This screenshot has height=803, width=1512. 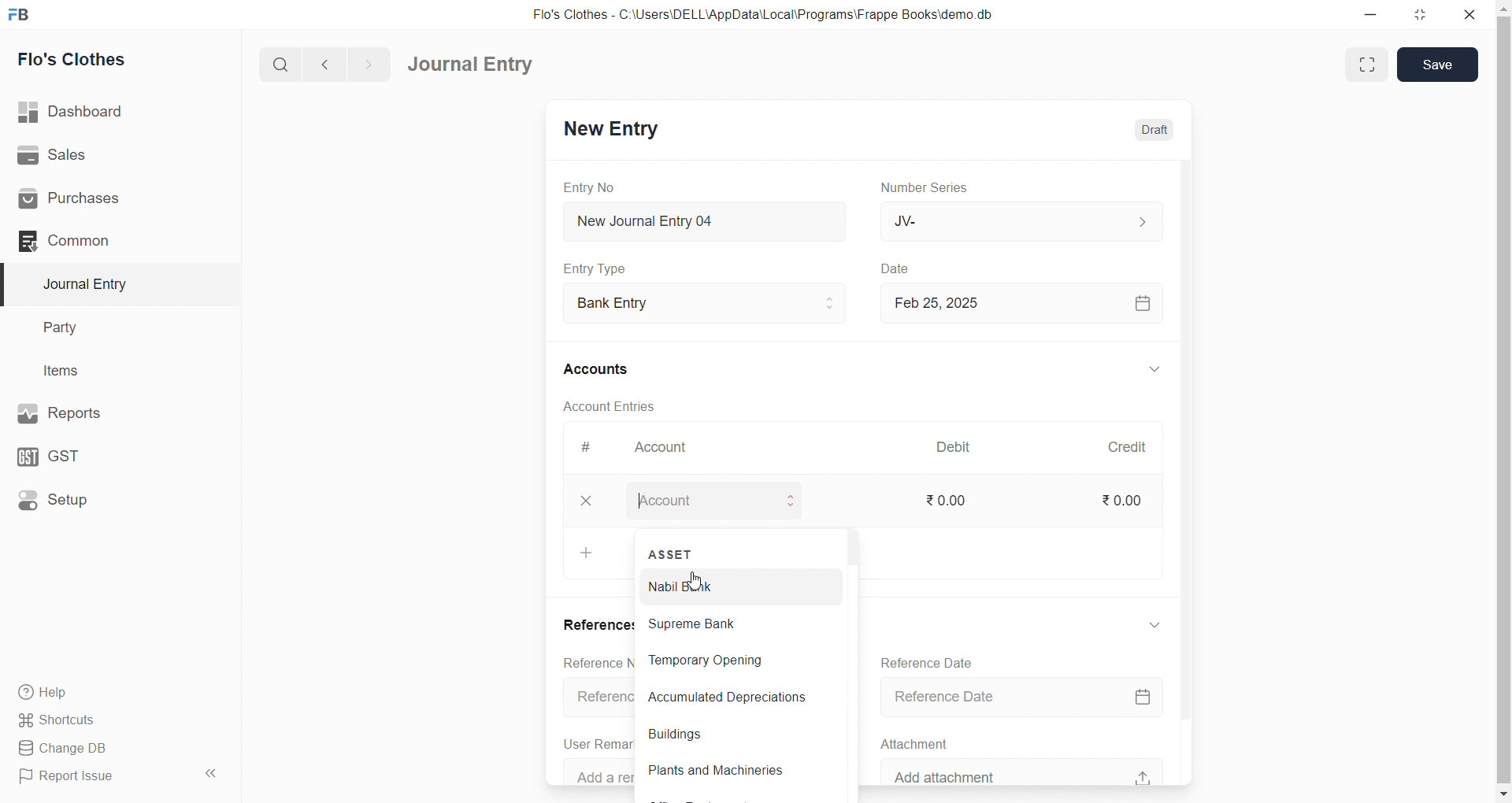 I want to click on Buildings, so click(x=733, y=736).